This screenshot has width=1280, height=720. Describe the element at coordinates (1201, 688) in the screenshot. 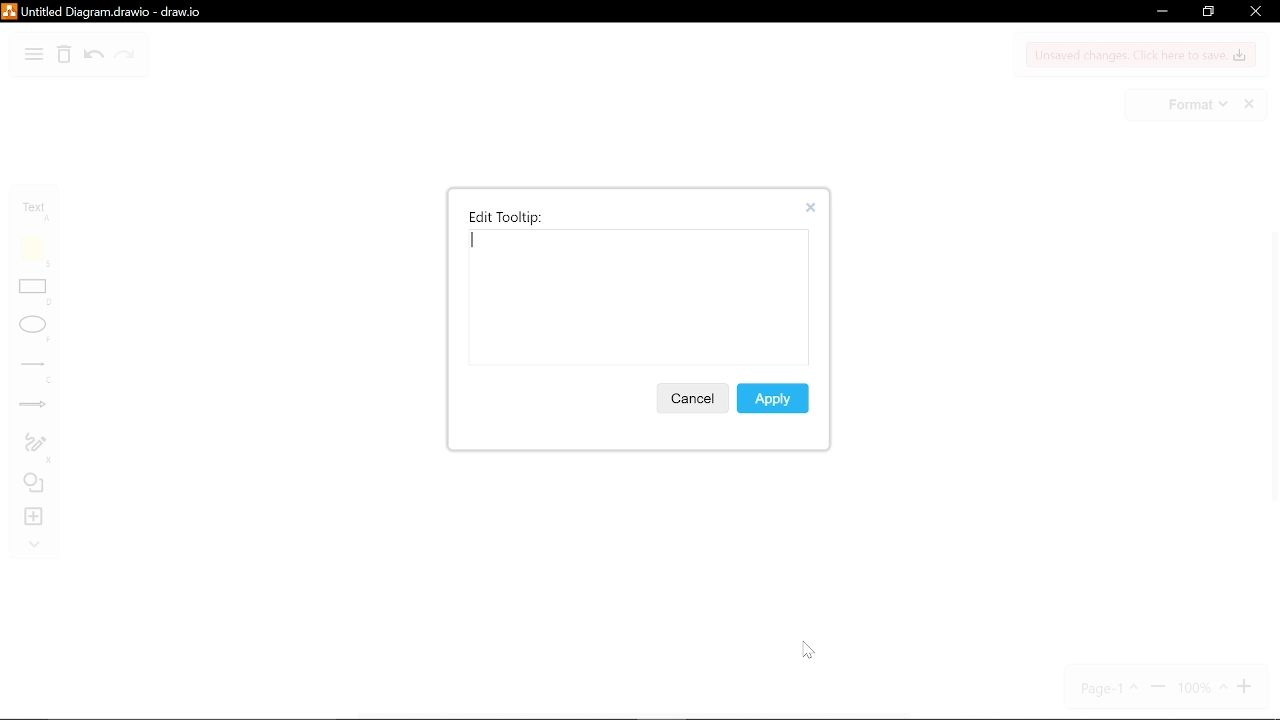

I see `current zoom` at that location.